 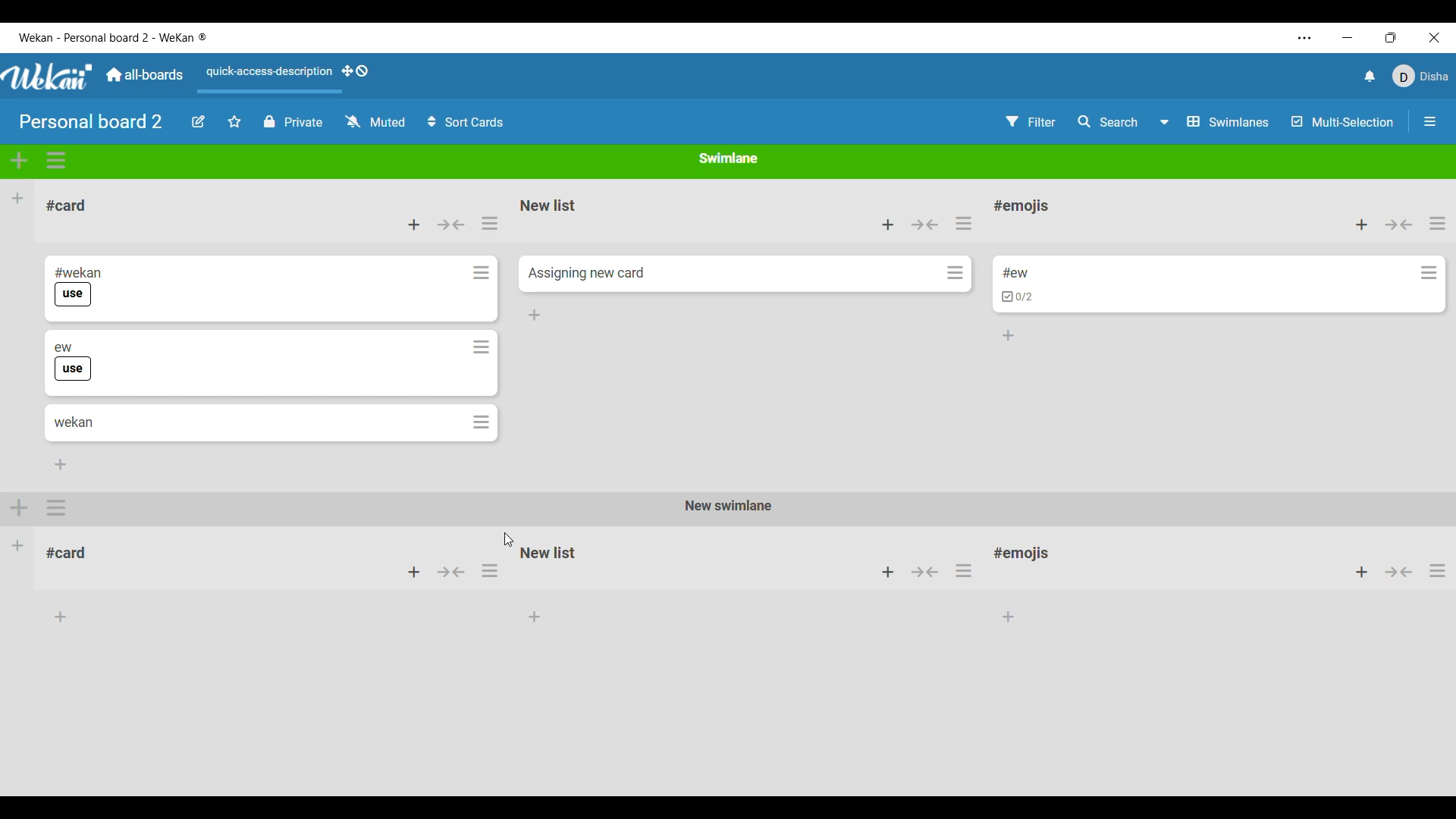 I want to click on button, so click(x=927, y=571).